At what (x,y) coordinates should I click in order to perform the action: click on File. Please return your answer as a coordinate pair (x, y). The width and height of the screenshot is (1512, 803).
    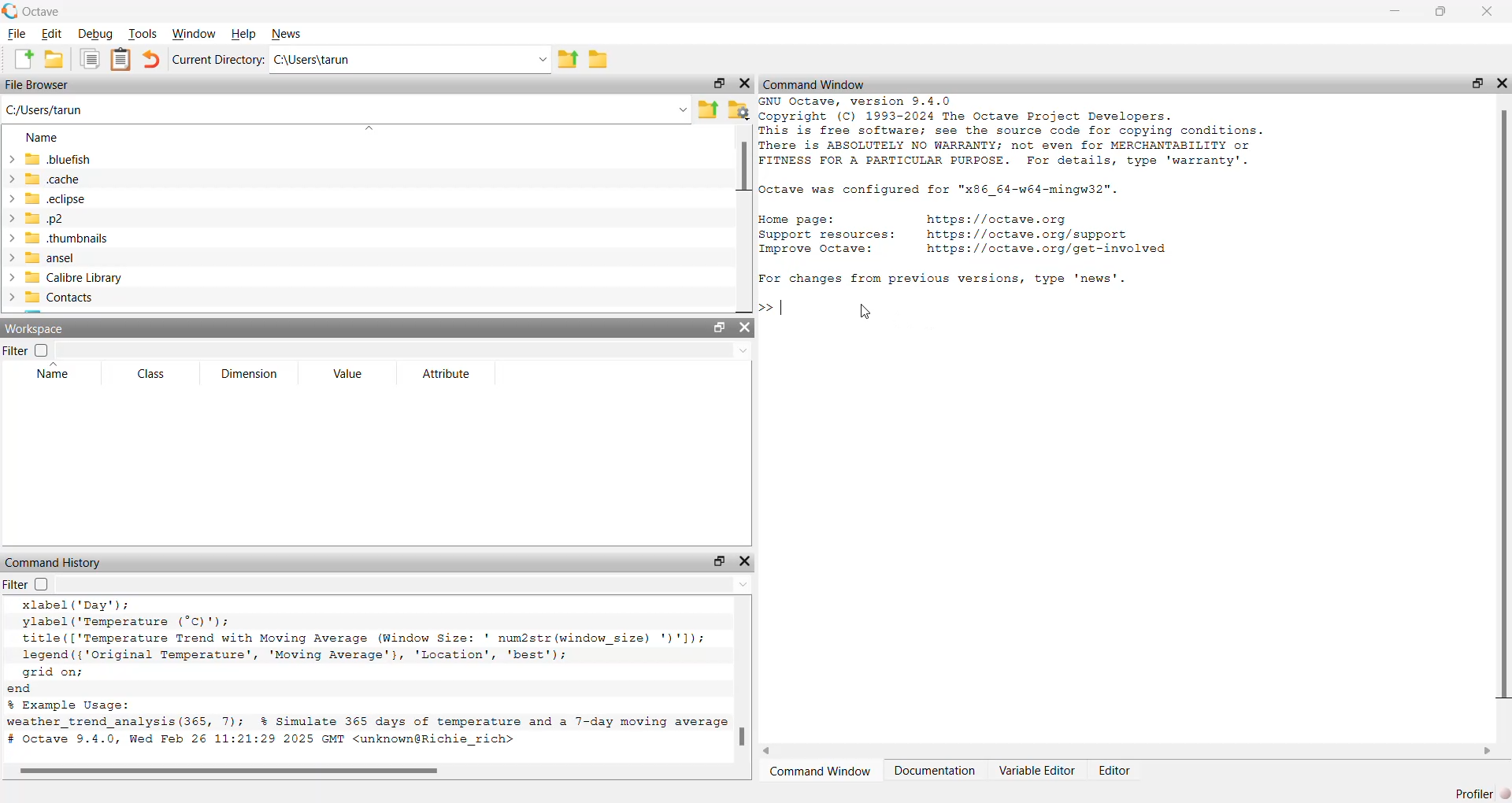
    Looking at the image, I should click on (16, 35).